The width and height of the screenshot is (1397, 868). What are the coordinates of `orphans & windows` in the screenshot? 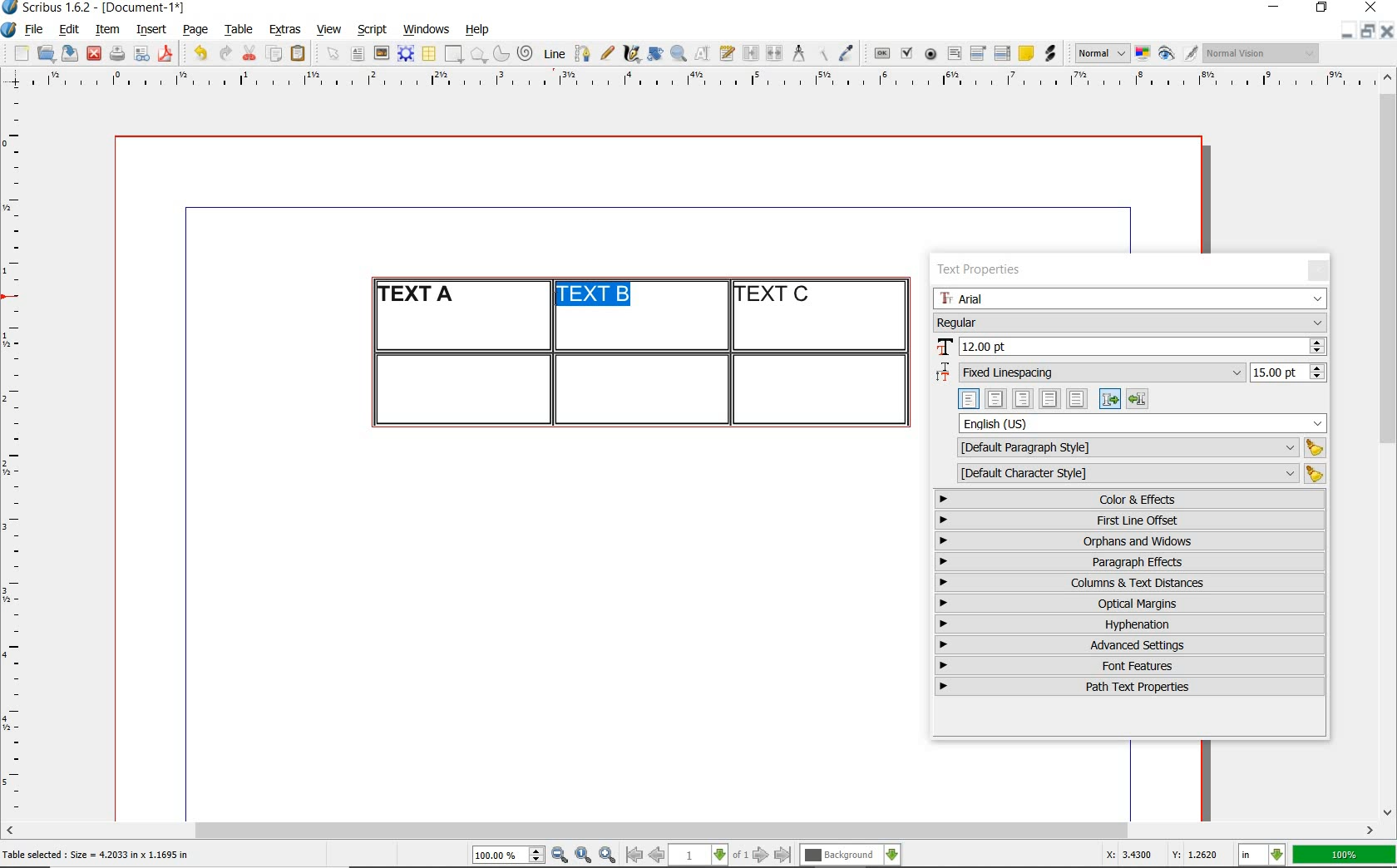 It's located at (1128, 542).